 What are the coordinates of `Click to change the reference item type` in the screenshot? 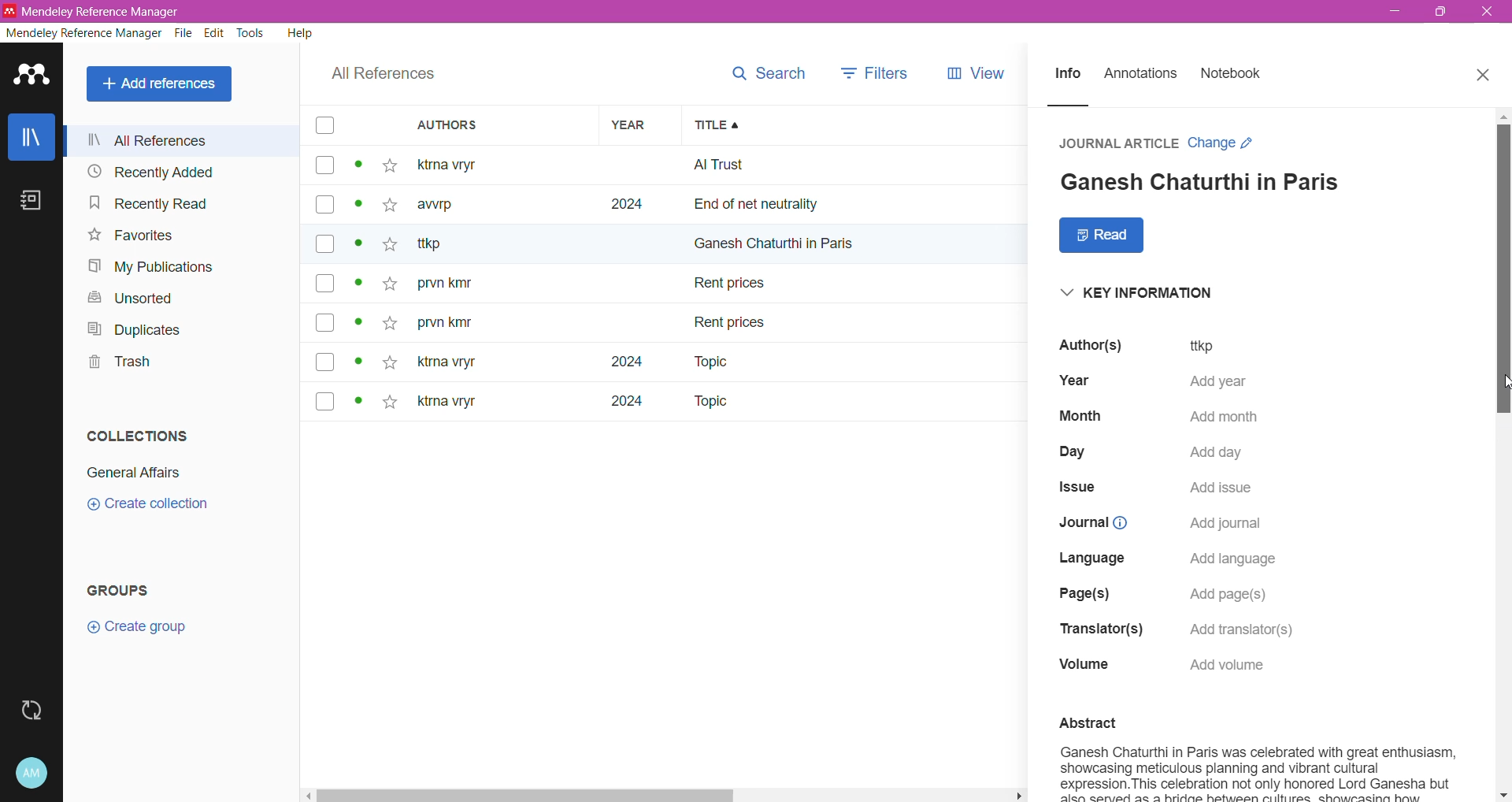 It's located at (1228, 141).